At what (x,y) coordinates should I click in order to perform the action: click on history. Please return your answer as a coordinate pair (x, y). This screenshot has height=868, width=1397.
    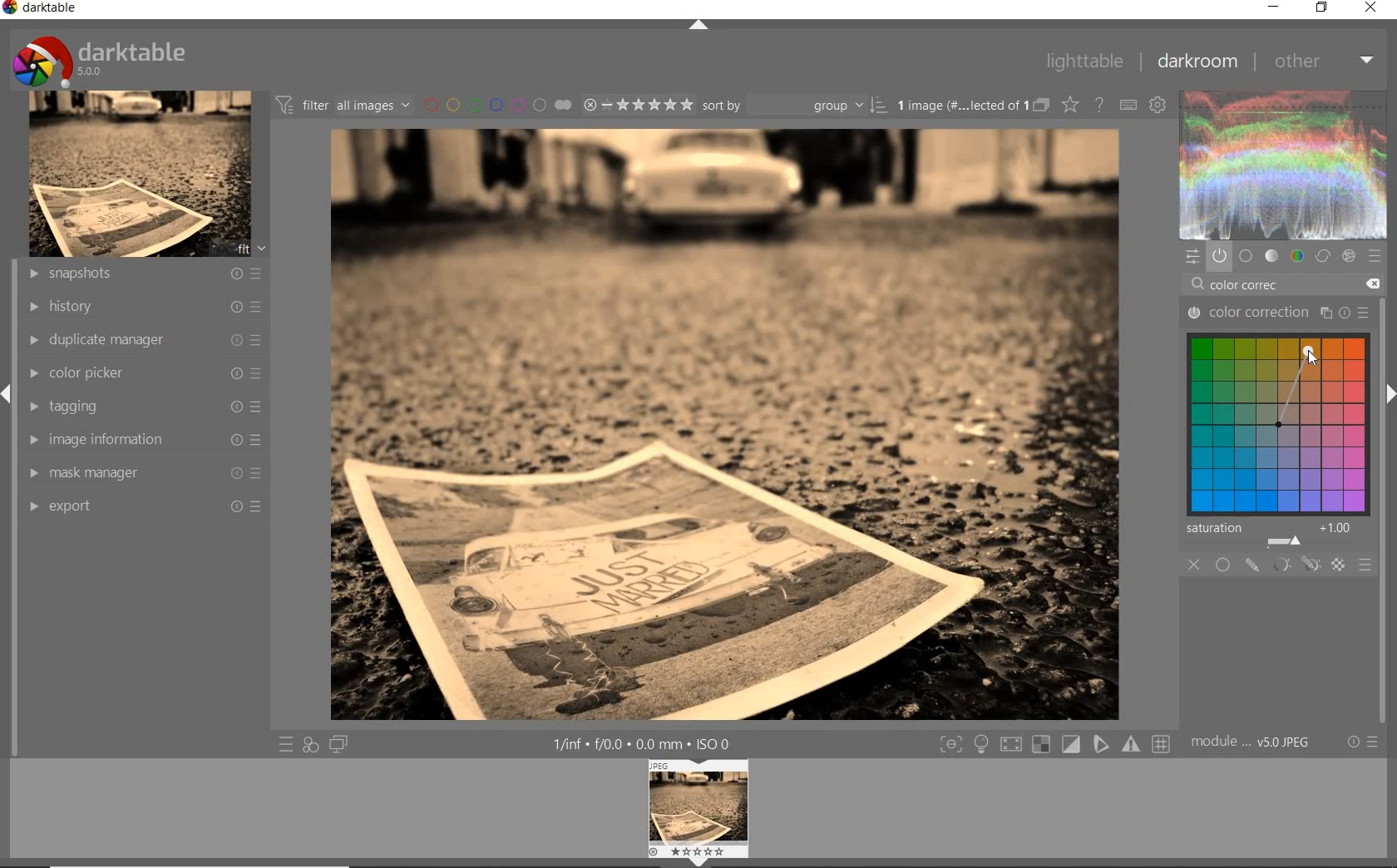
    Looking at the image, I should click on (144, 307).